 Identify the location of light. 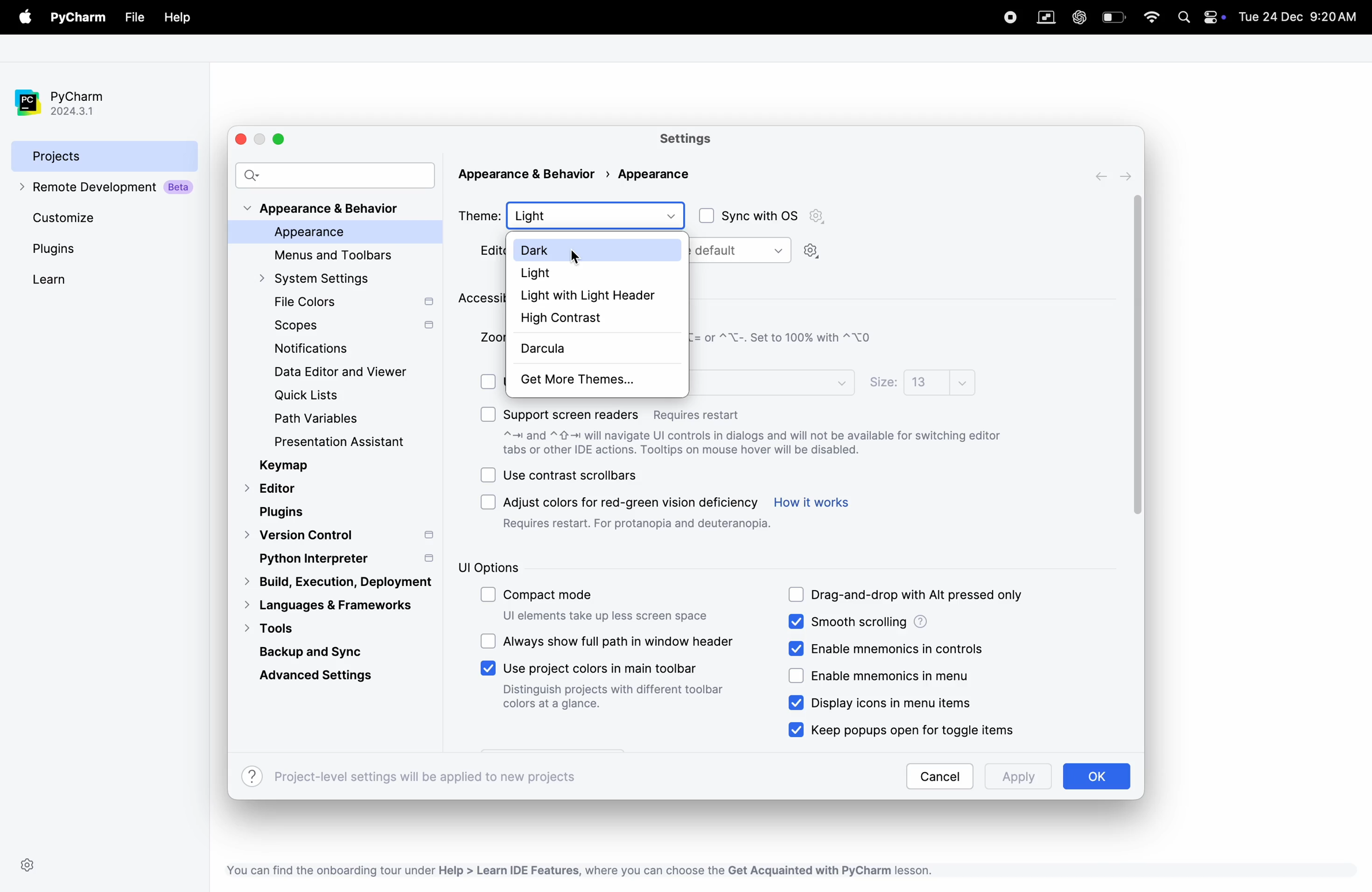
(598, 272).